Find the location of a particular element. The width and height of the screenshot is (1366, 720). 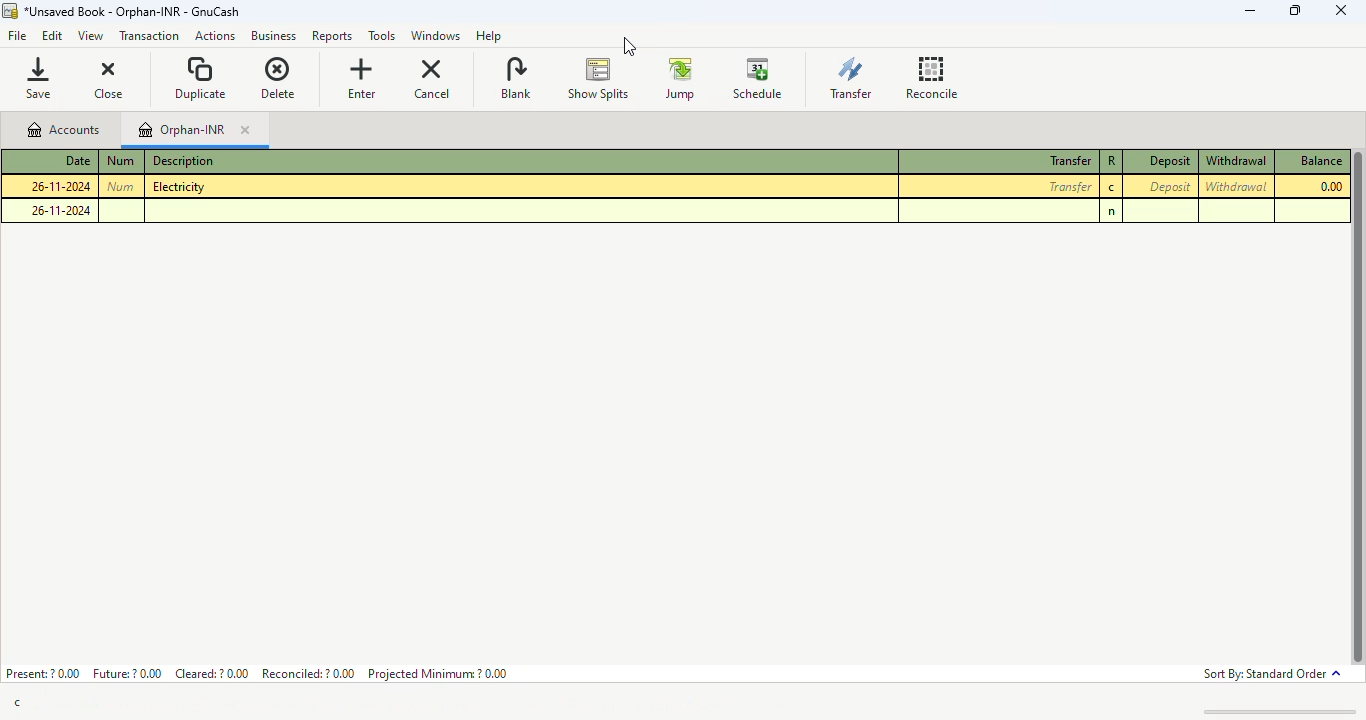

transfer is located at coordinates (1070, 161).